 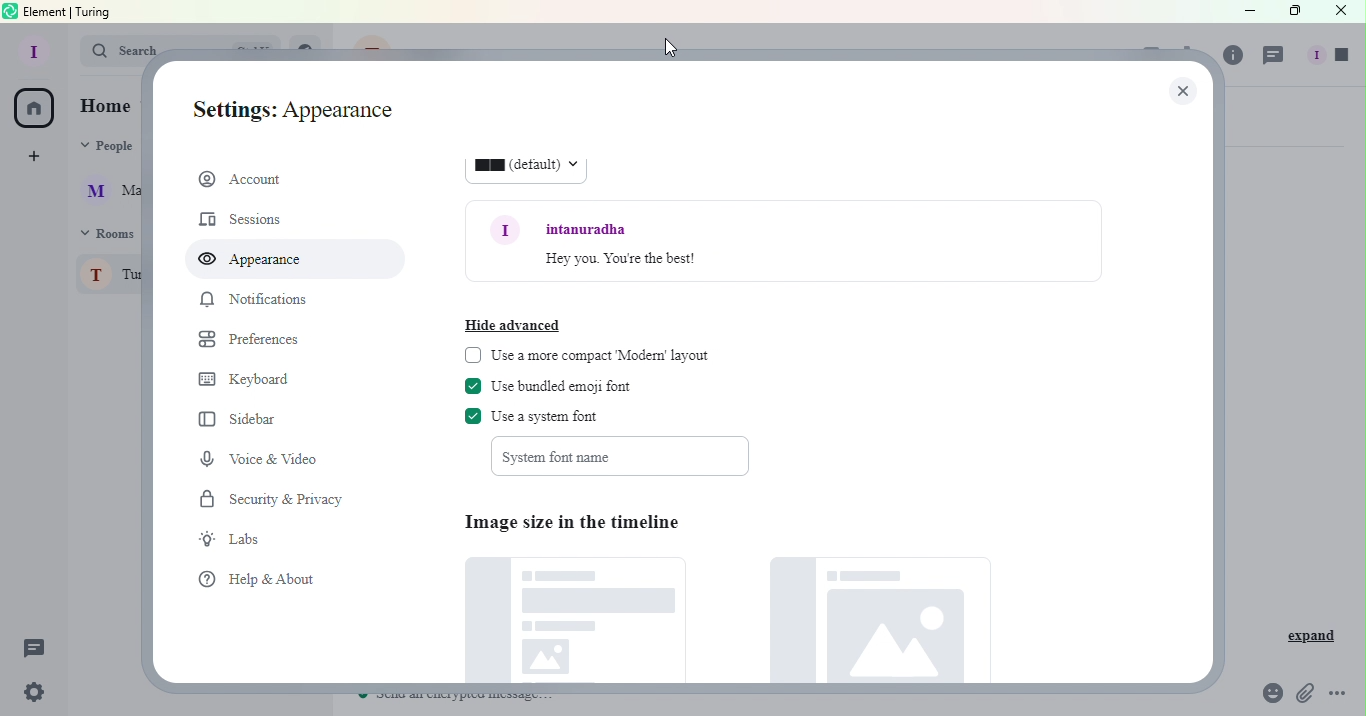 What do you see at coordinates (1294, 12) in the screenshot?
I see `Maximize` at bounding box center [1294, 12].